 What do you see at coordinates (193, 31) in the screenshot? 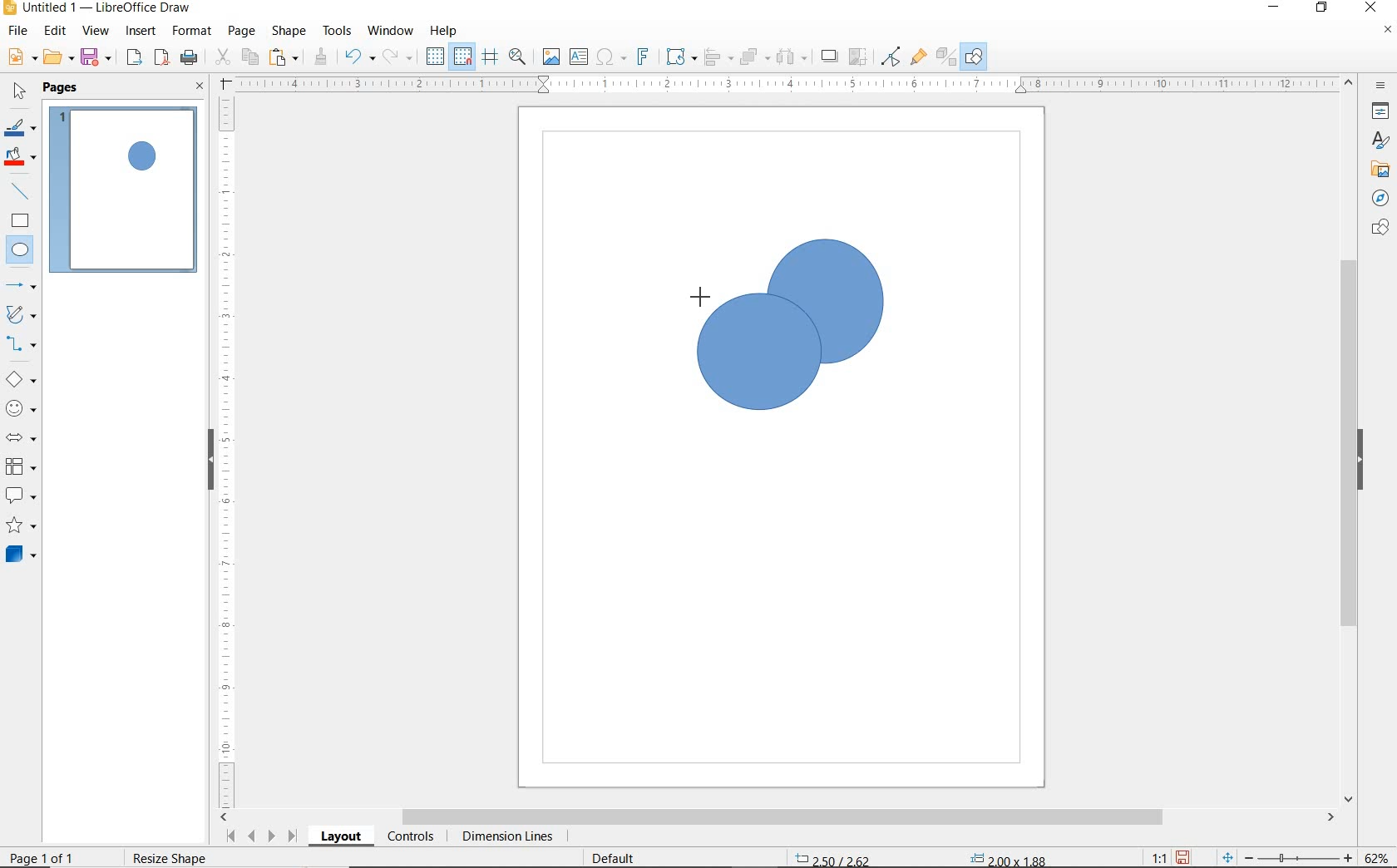
I see `FORMAT` at bounding box center [193, 31].